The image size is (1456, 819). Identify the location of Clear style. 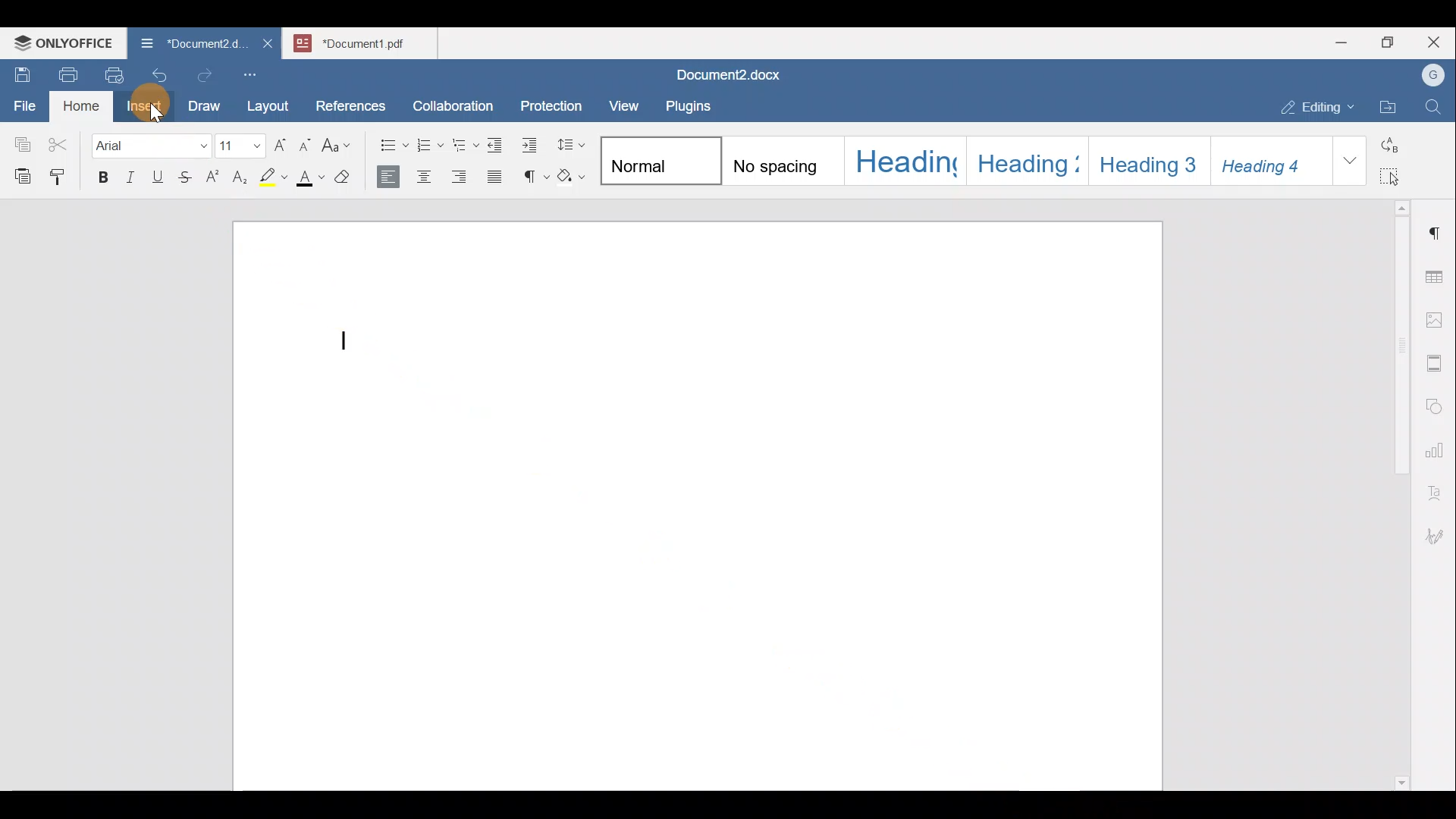
(347, 178).